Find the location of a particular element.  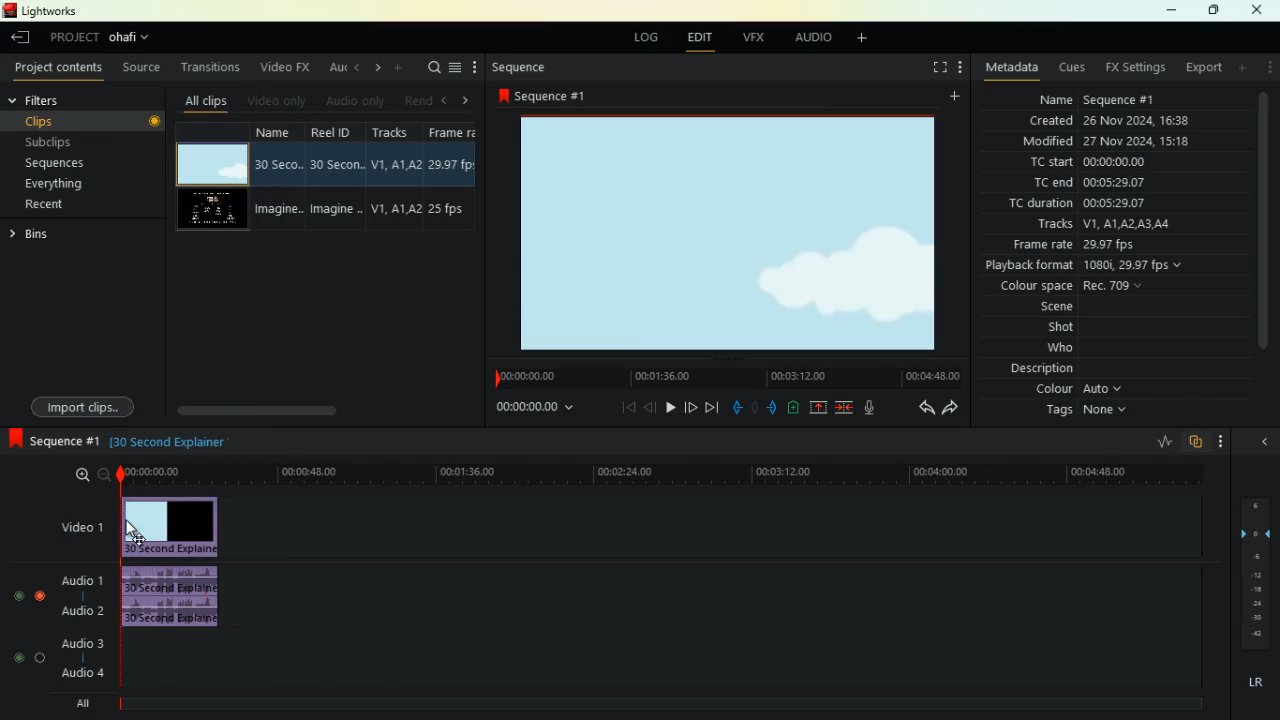

tracks is located at coordinates (1098, 226).